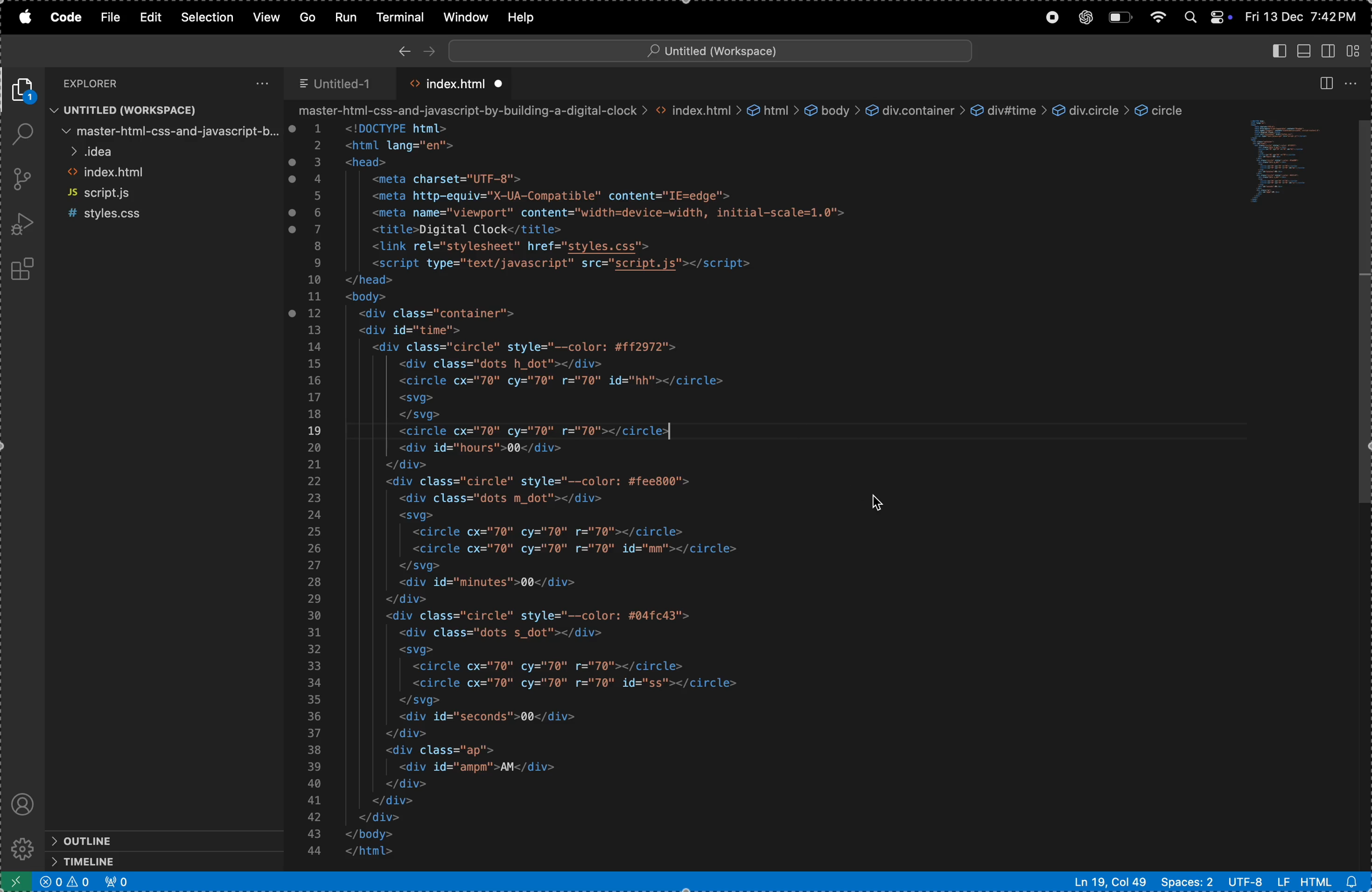 The width and height of the screenshot is (1372, 892). I want to click on code block, so click(1292, 165).